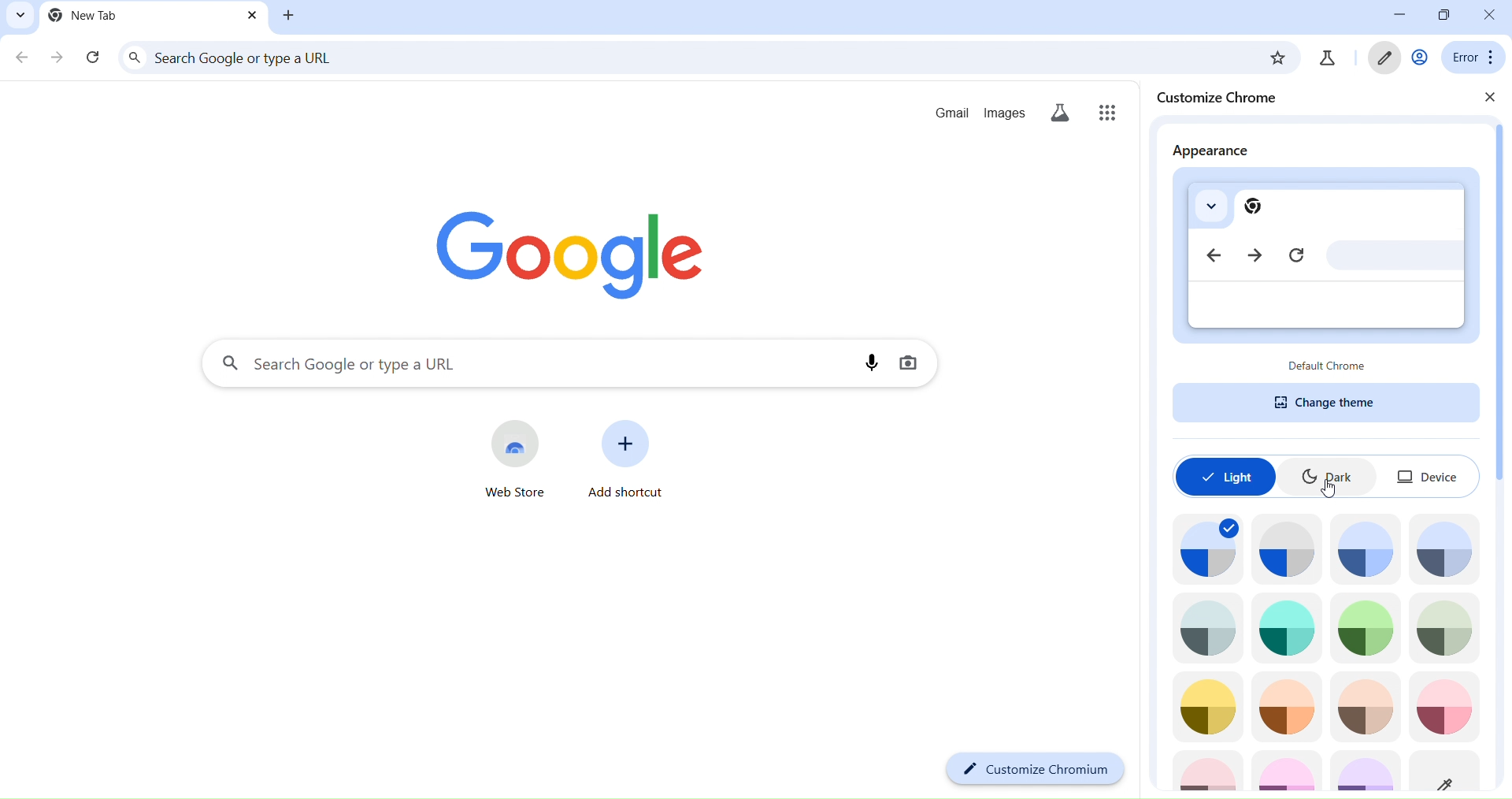  What do you see at coordinates (1447, 705) in the screenshot?
I see `theme icon` at bounding box center [1447, 705].